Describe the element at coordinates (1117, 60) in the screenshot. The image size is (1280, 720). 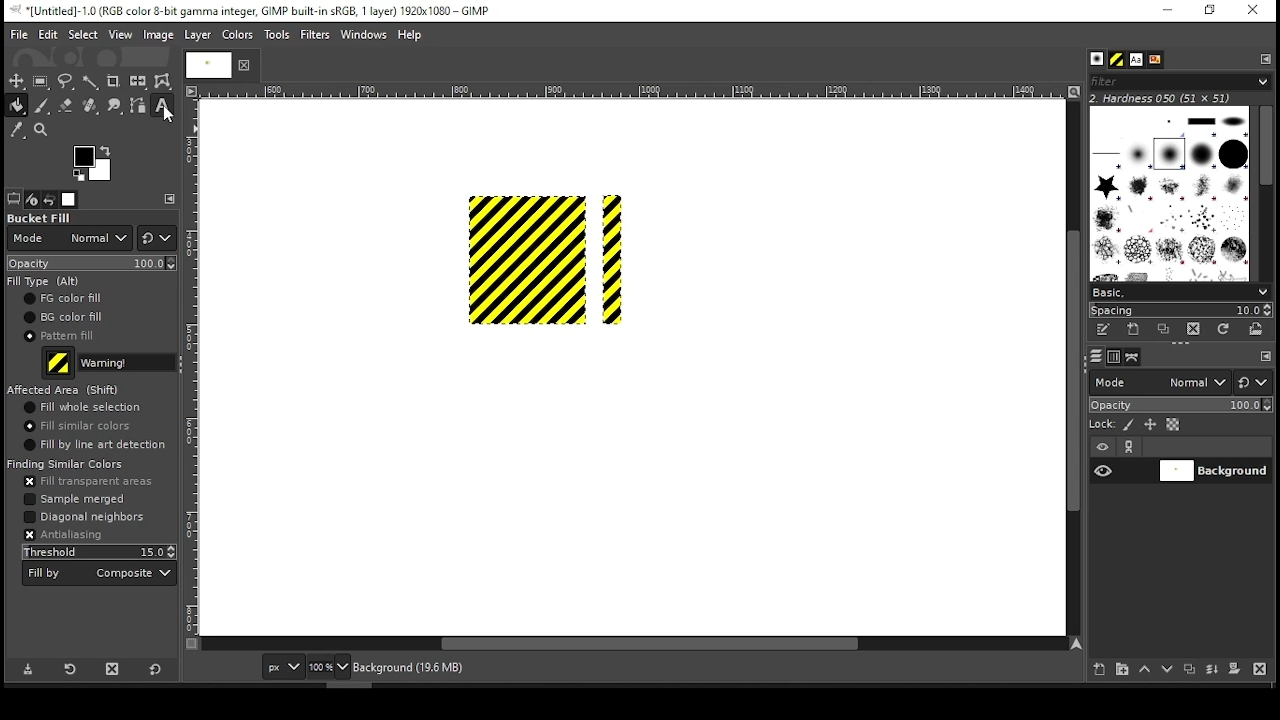
I see `pattern` at that location.